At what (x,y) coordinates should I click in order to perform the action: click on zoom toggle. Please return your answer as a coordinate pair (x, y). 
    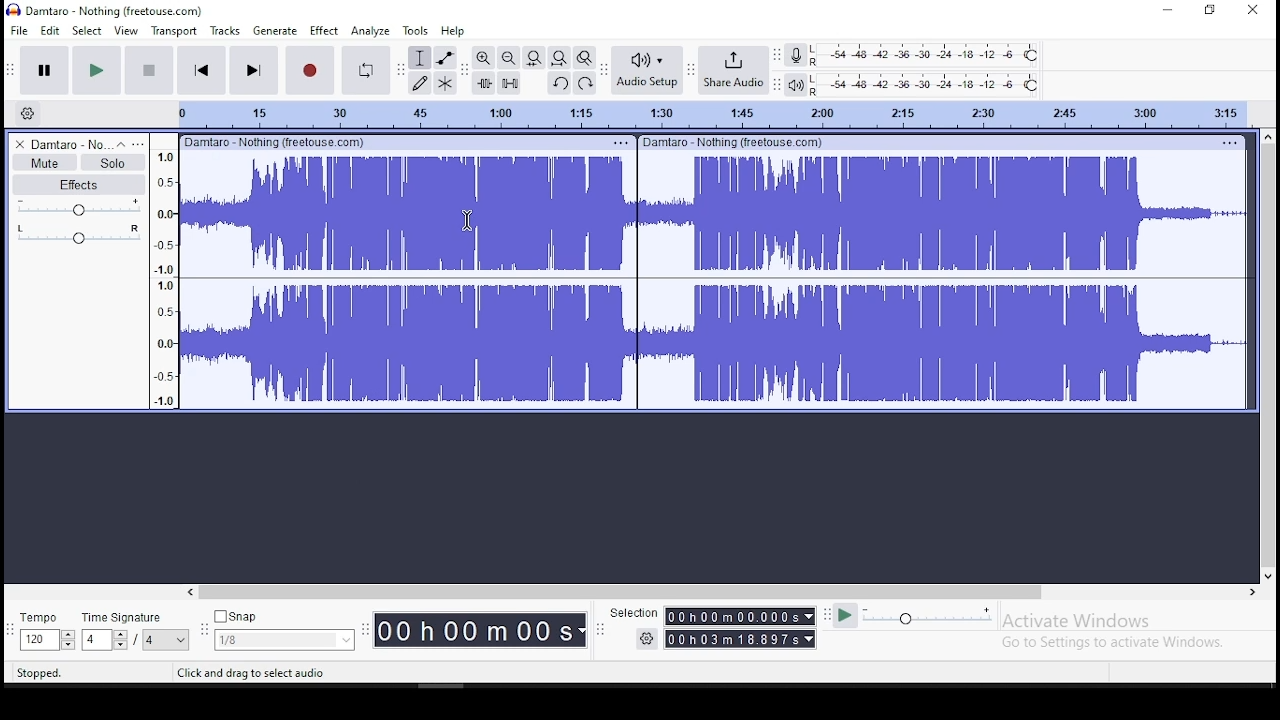
    Looking at the image, I should click on (584, 58).